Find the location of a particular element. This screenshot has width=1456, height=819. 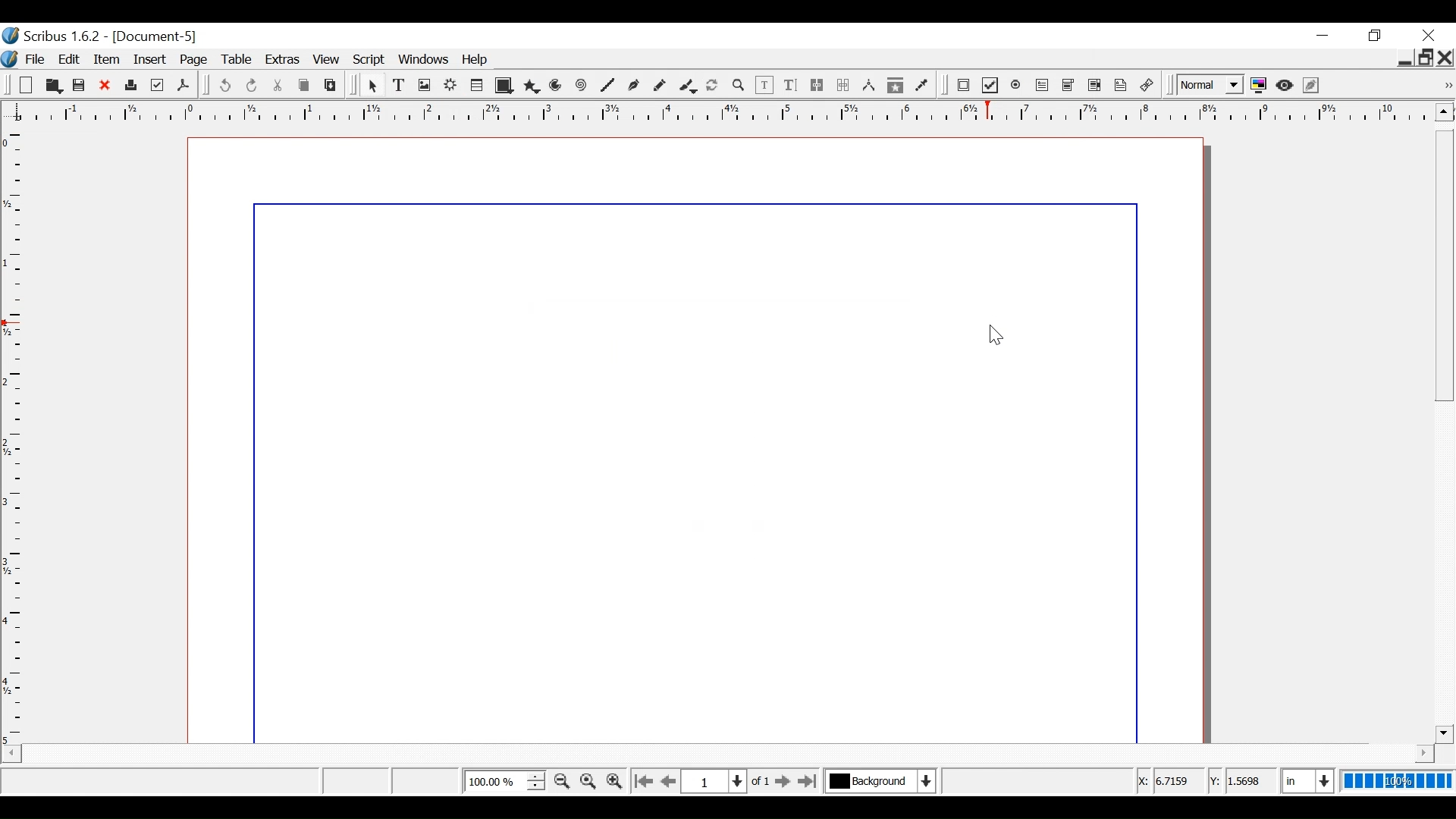

Zoom in is located at coordinates (613, 780).